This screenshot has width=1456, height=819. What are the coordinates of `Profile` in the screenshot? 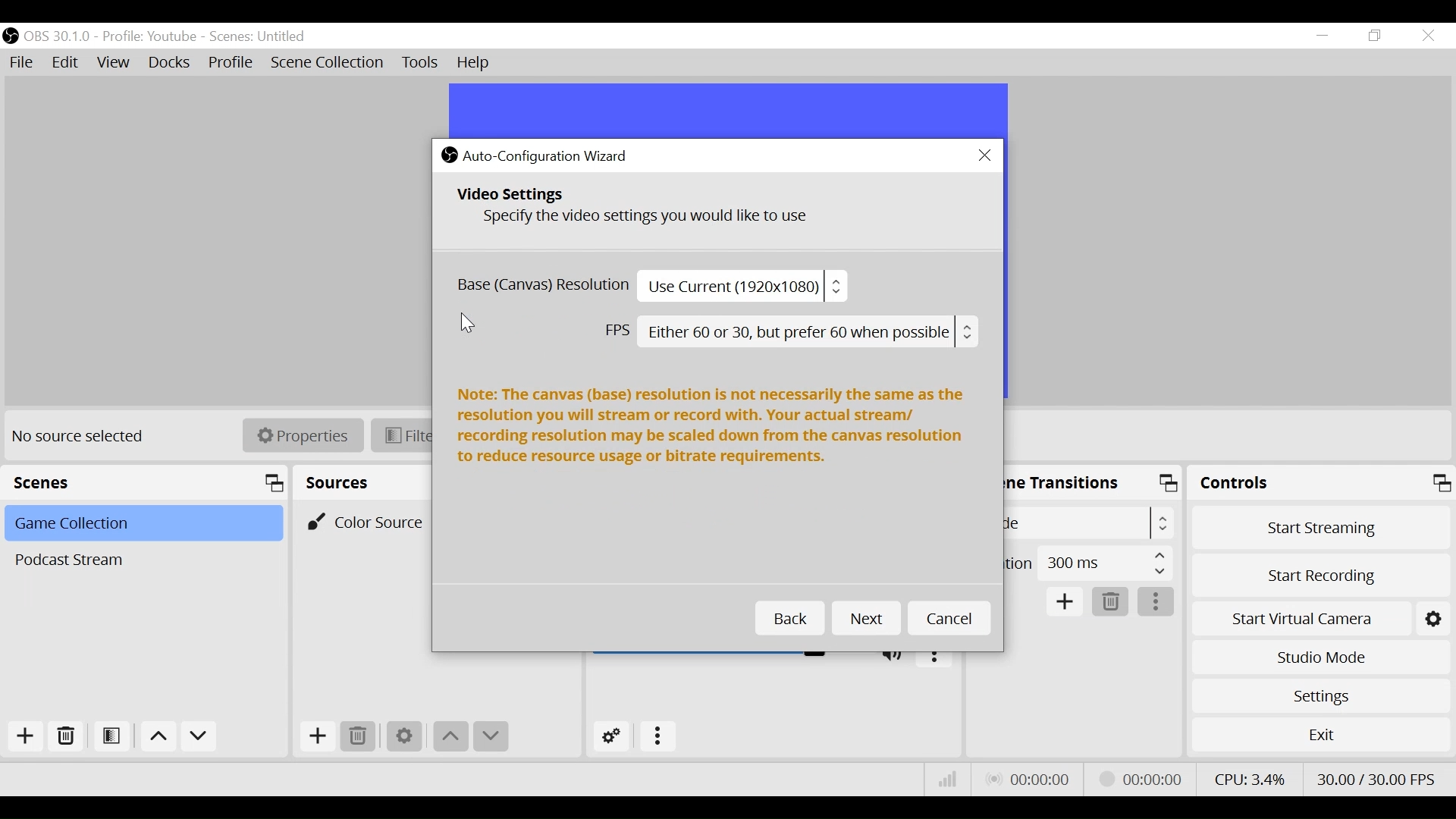 It's located at (231, 62).